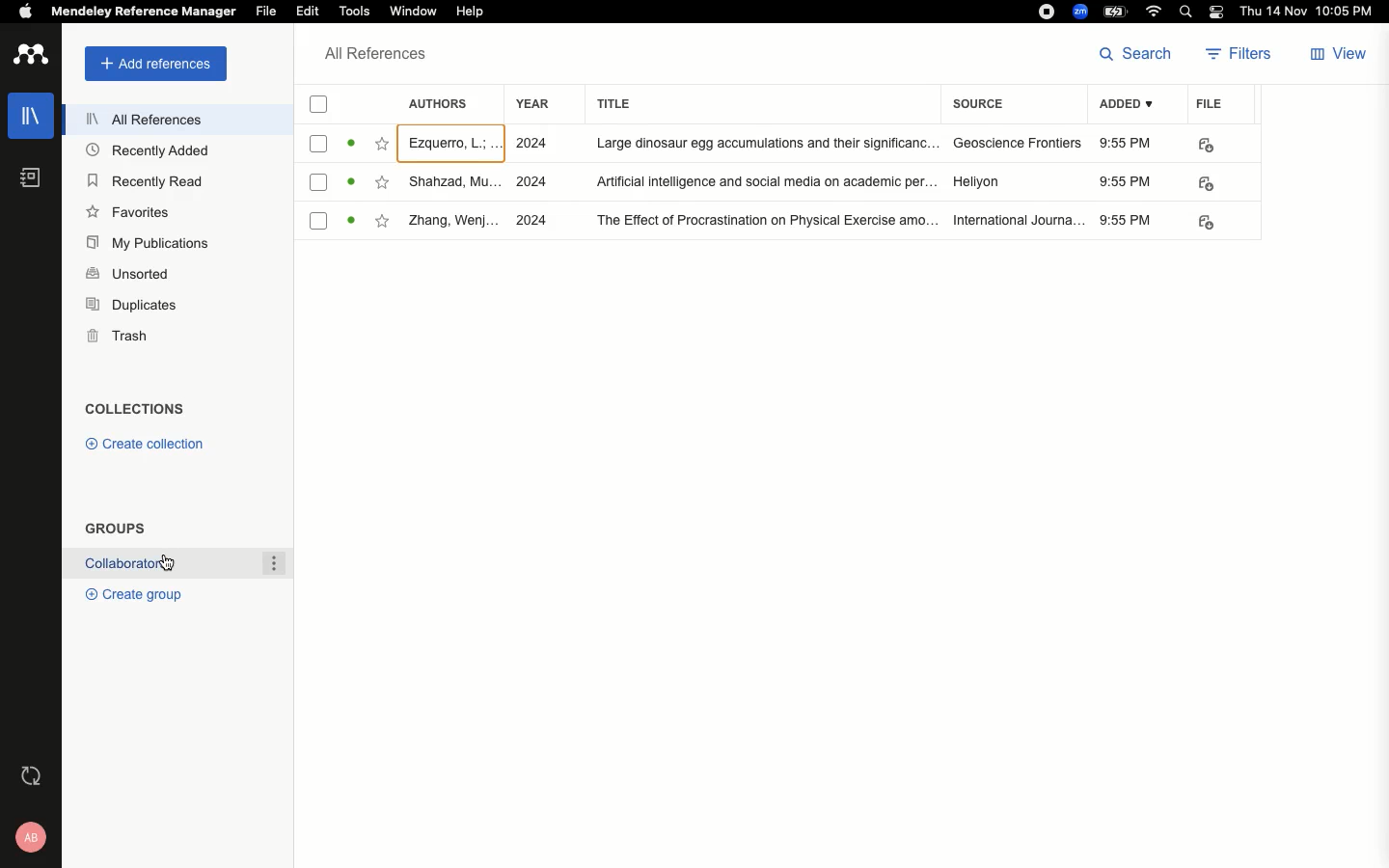  I want to click on Library, so click(34, 116).